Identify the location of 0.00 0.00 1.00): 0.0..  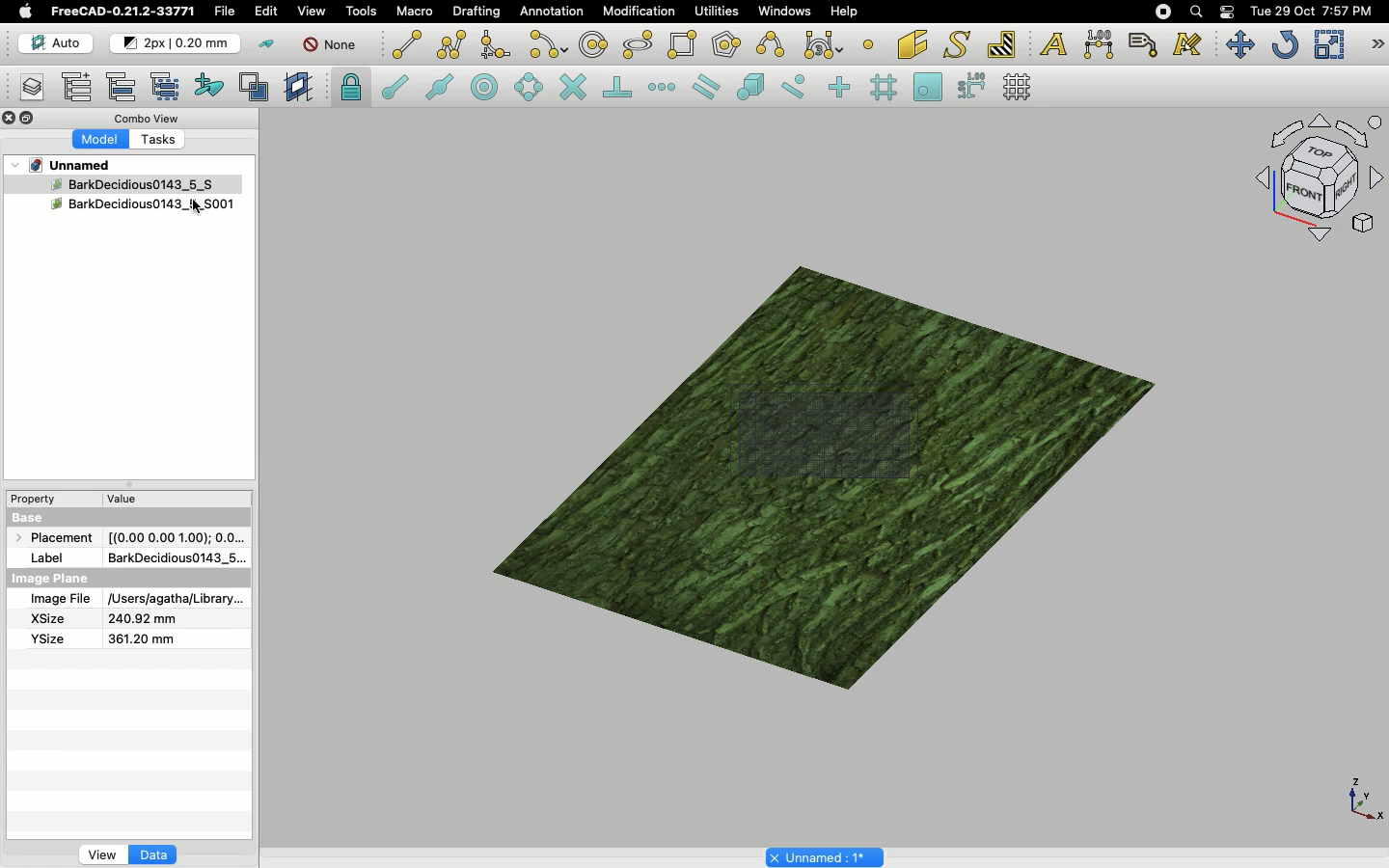
(177, 534).